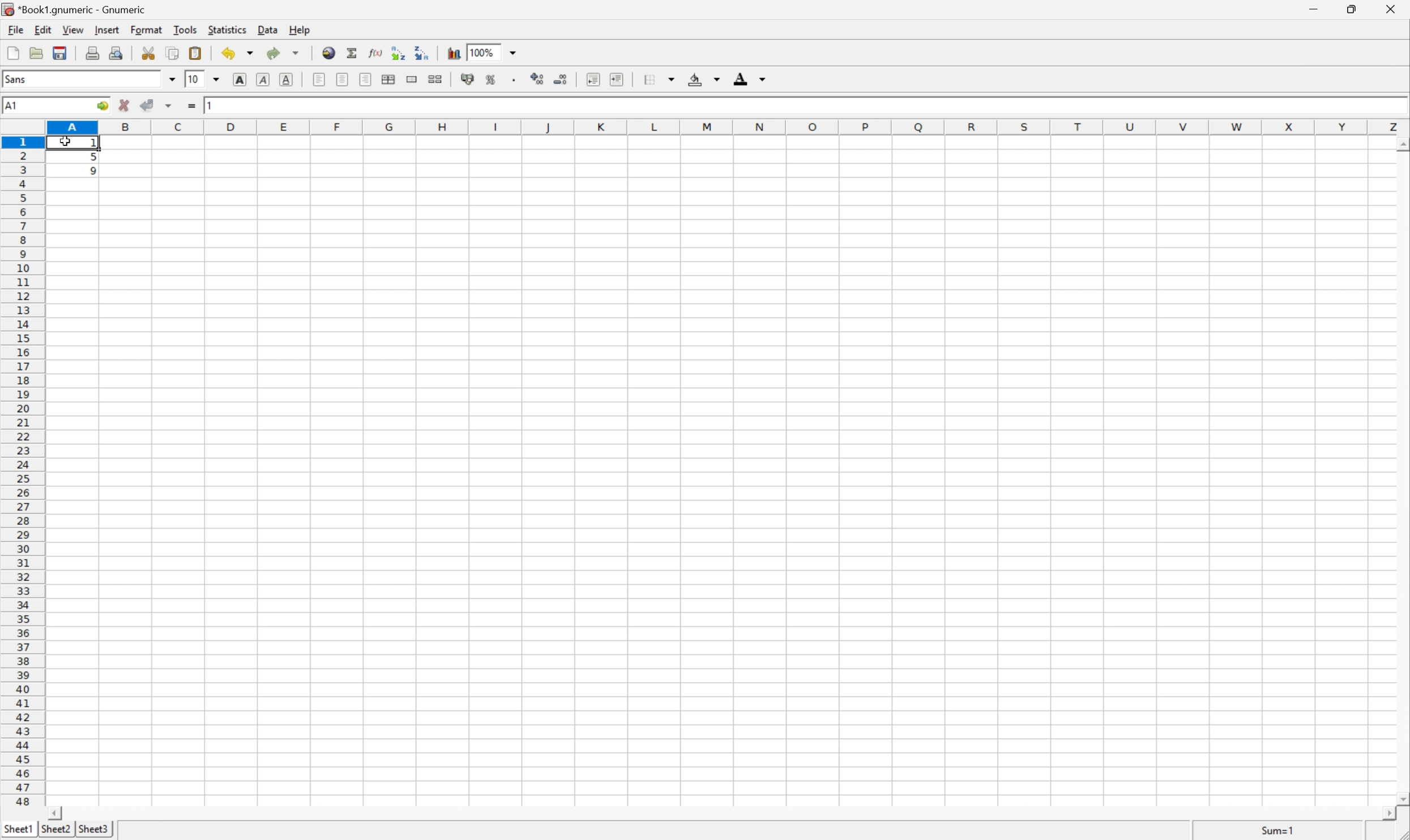 The image size is (1410, 840). I want to click on sheet2, so click(55, 832).